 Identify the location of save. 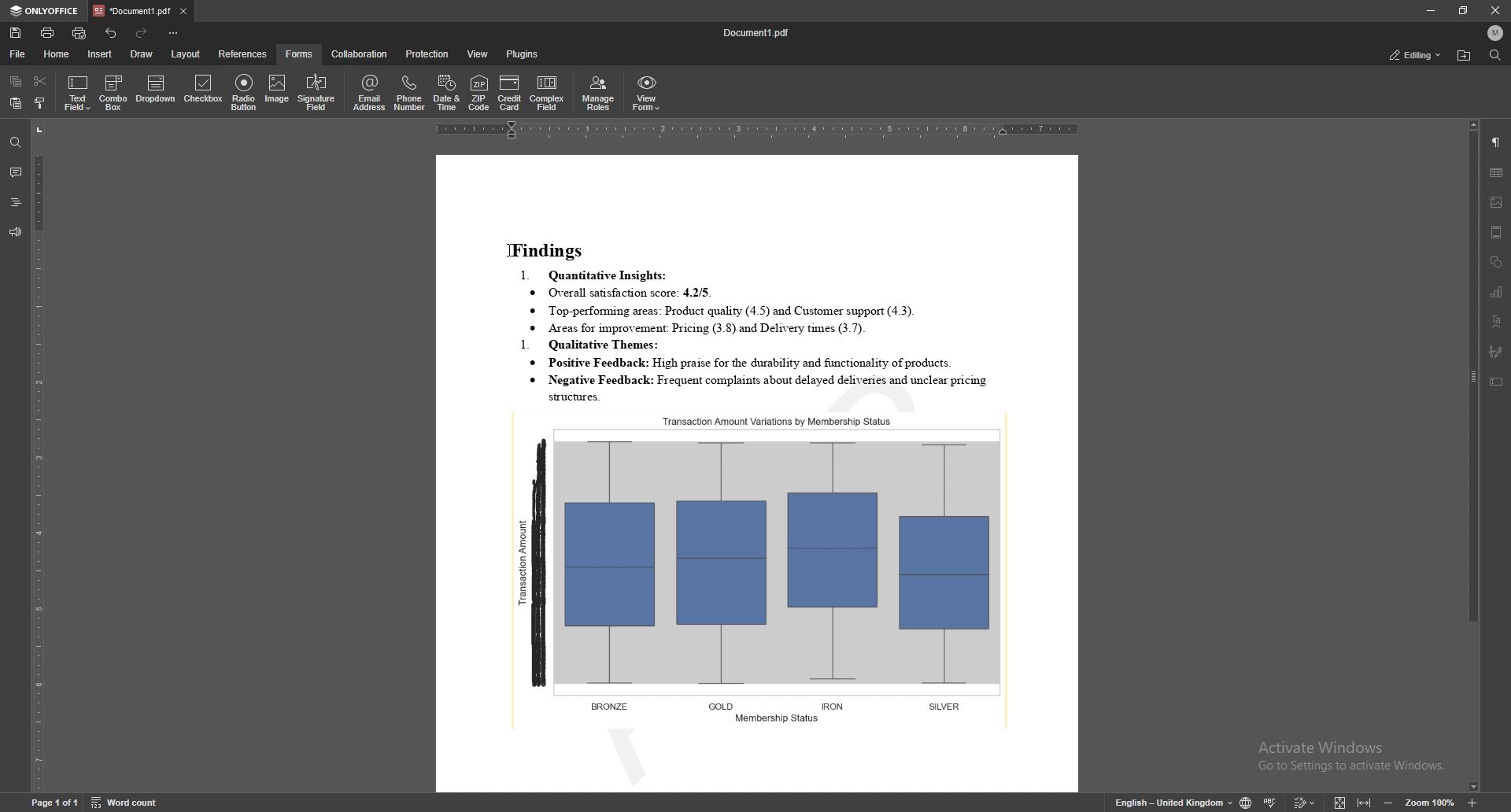
(15, 34).